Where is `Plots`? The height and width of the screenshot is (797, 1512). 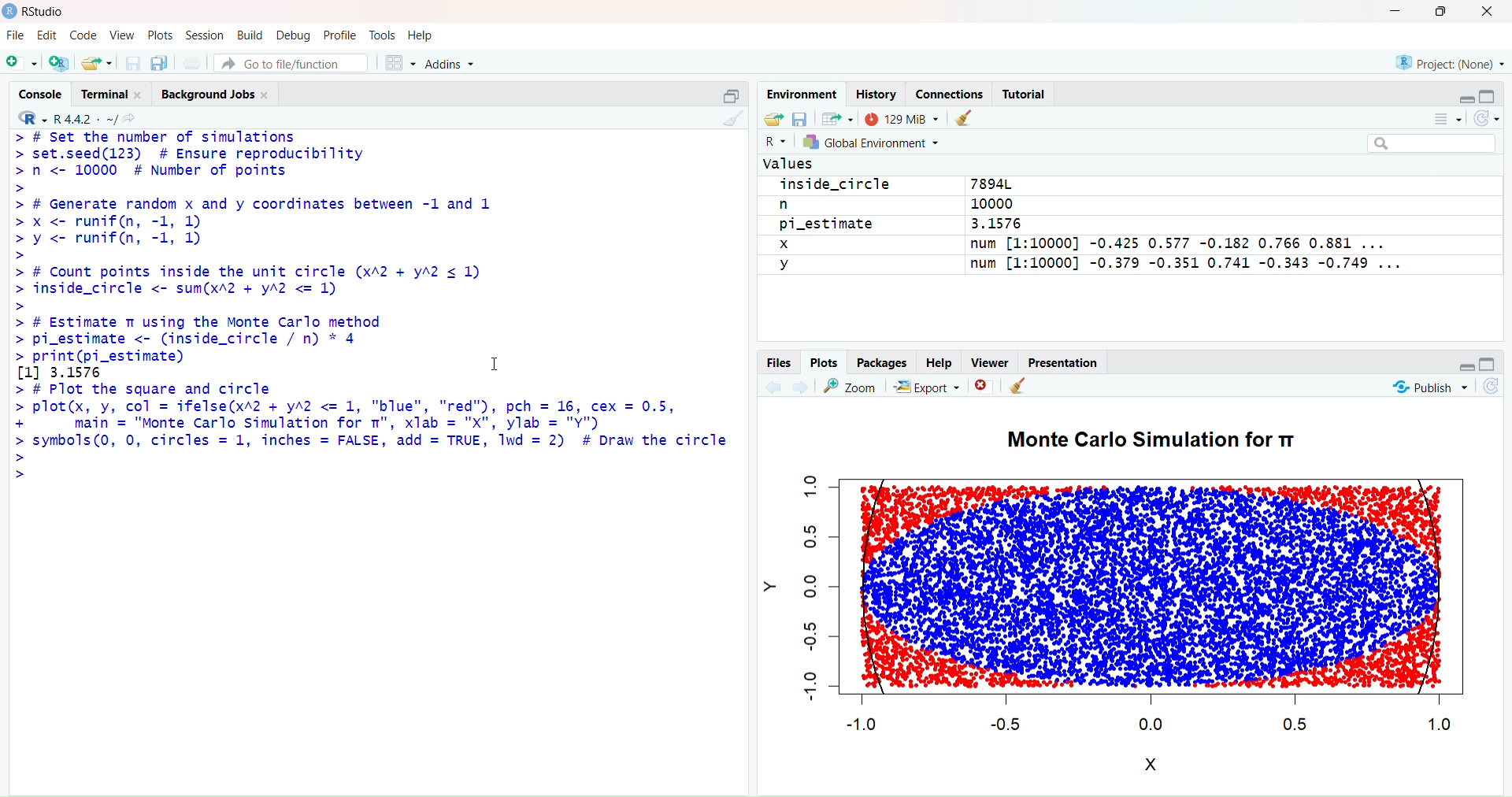
Plots is located at coordinates (825, 361).